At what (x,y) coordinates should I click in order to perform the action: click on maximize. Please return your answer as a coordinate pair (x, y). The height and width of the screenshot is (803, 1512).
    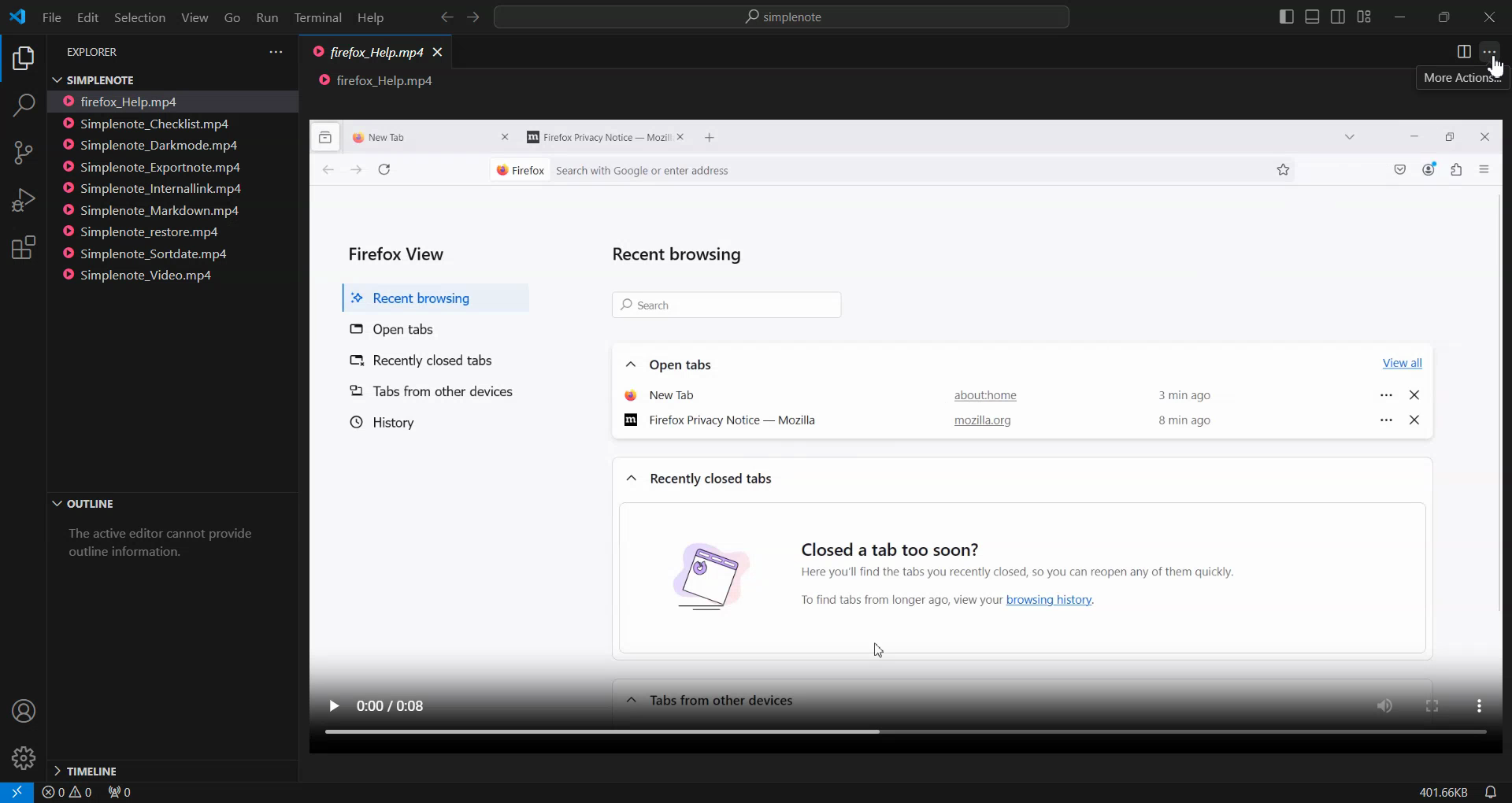
    Looking at the image, I should click on (1451, 135).